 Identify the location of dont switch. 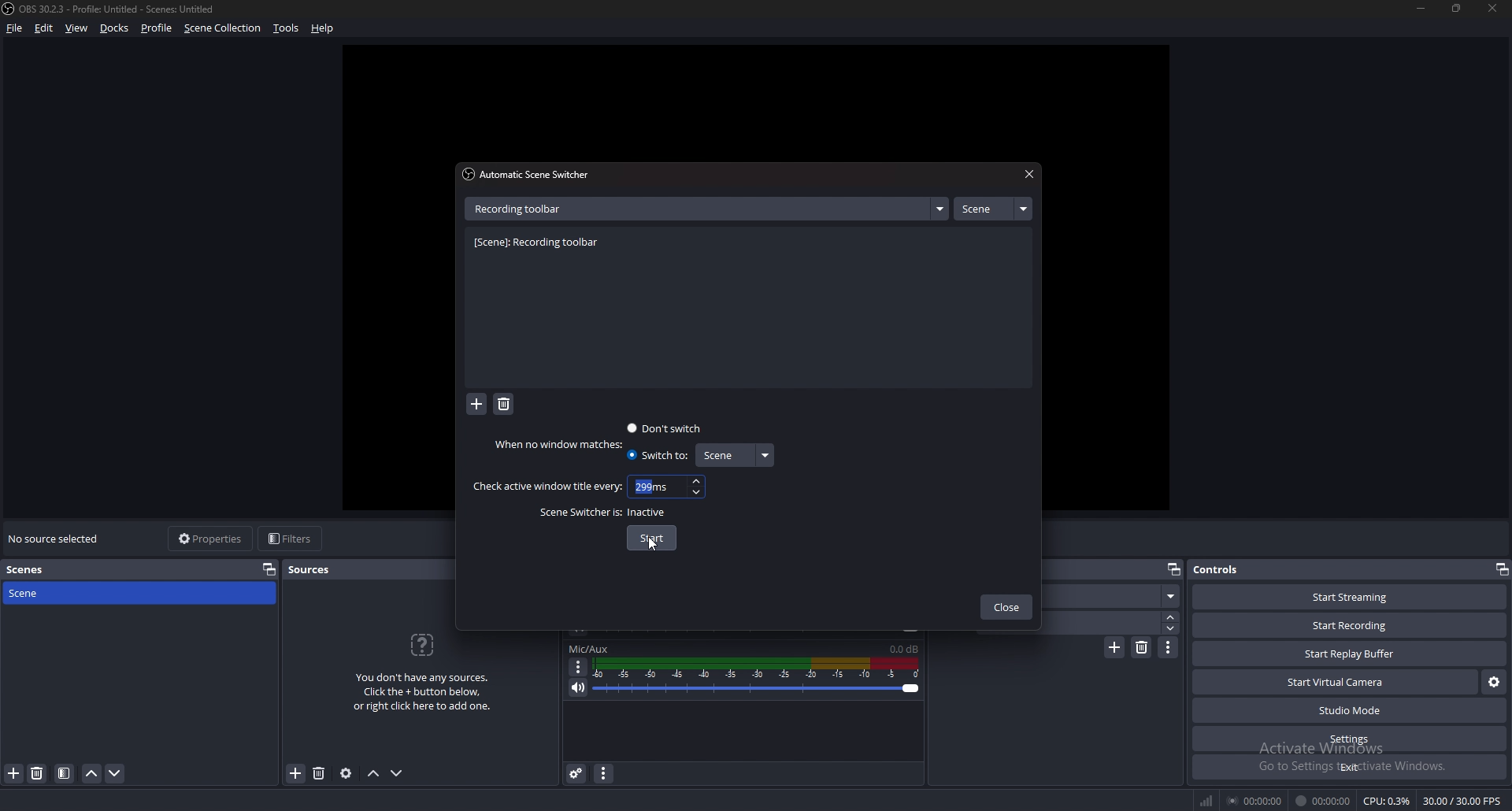
(666, 428).